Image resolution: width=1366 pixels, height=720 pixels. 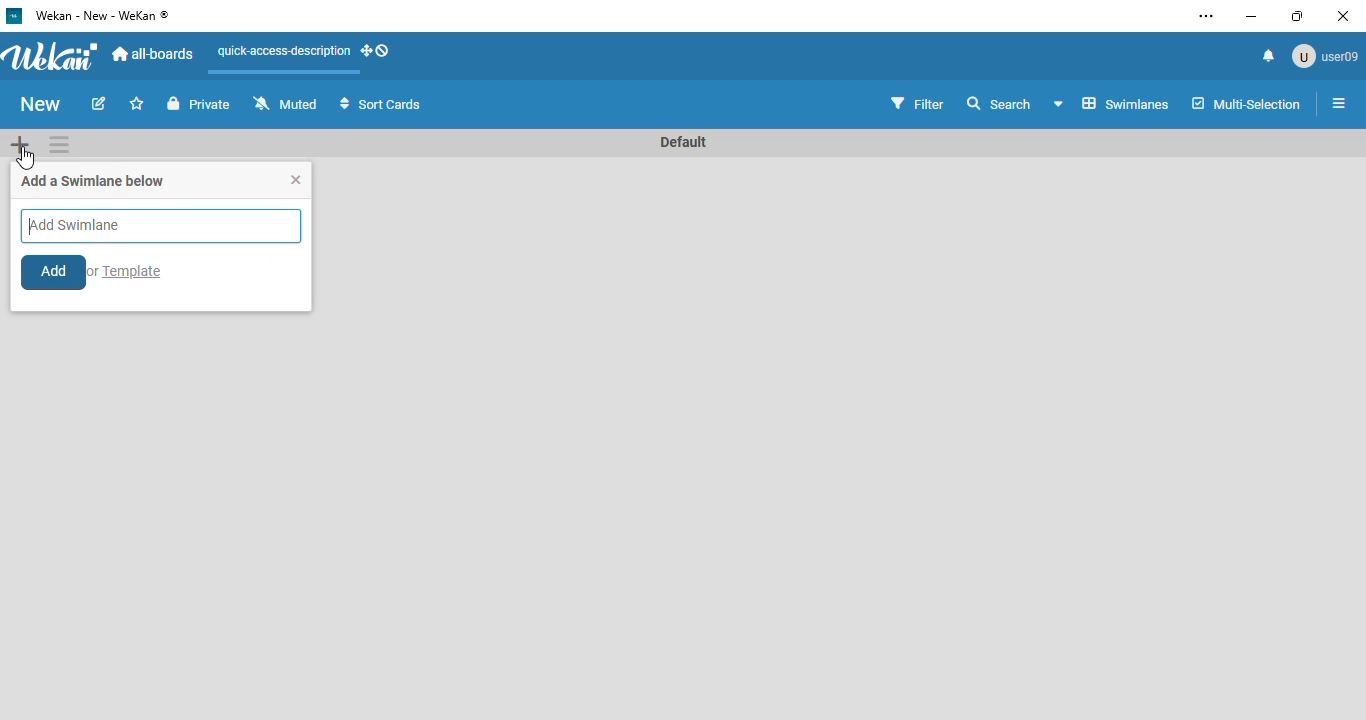 What do you see at coordinates (38, 105) in the screenshot?
I see `board name` at bounding box center [38, 105].